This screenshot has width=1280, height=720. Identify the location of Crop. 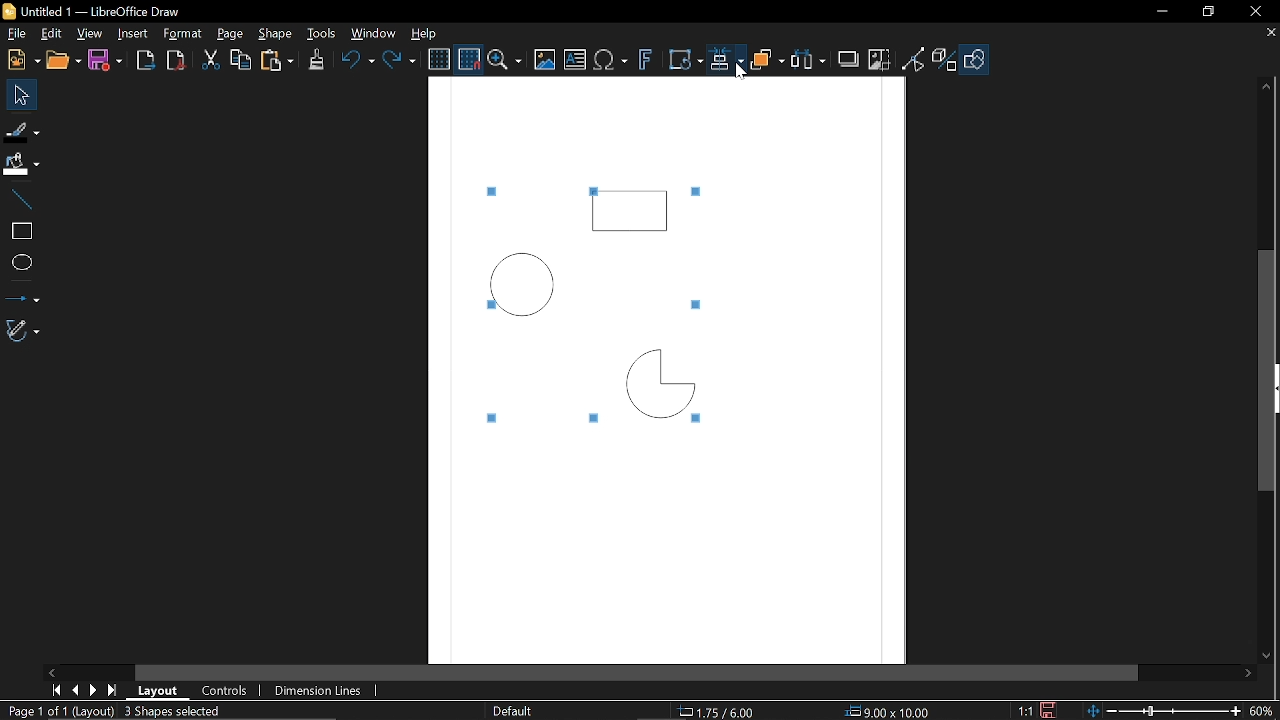
(878, 60).